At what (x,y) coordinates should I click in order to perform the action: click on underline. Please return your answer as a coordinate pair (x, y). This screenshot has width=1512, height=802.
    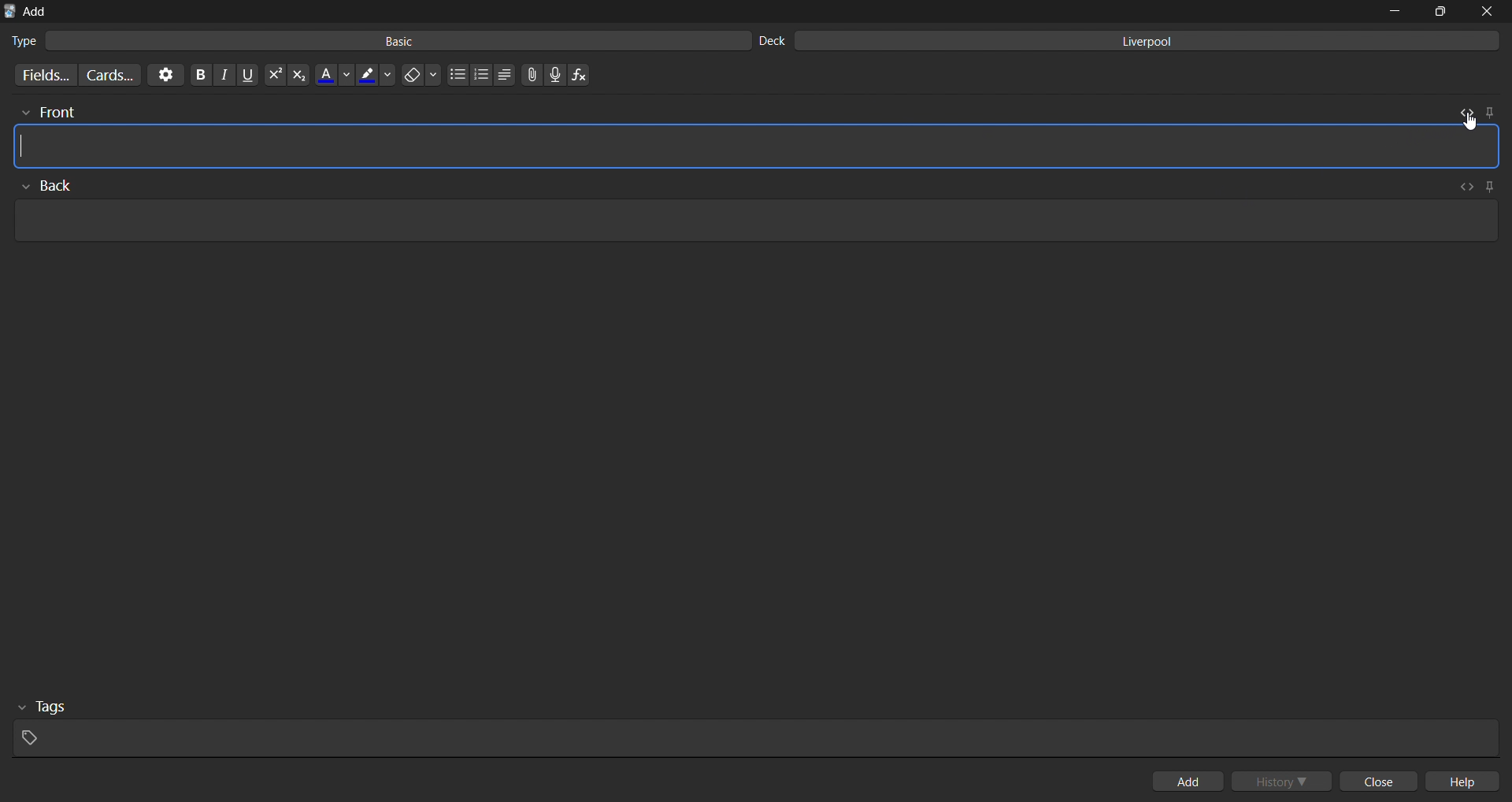
    Looking at the image, I should click on (249, 75).